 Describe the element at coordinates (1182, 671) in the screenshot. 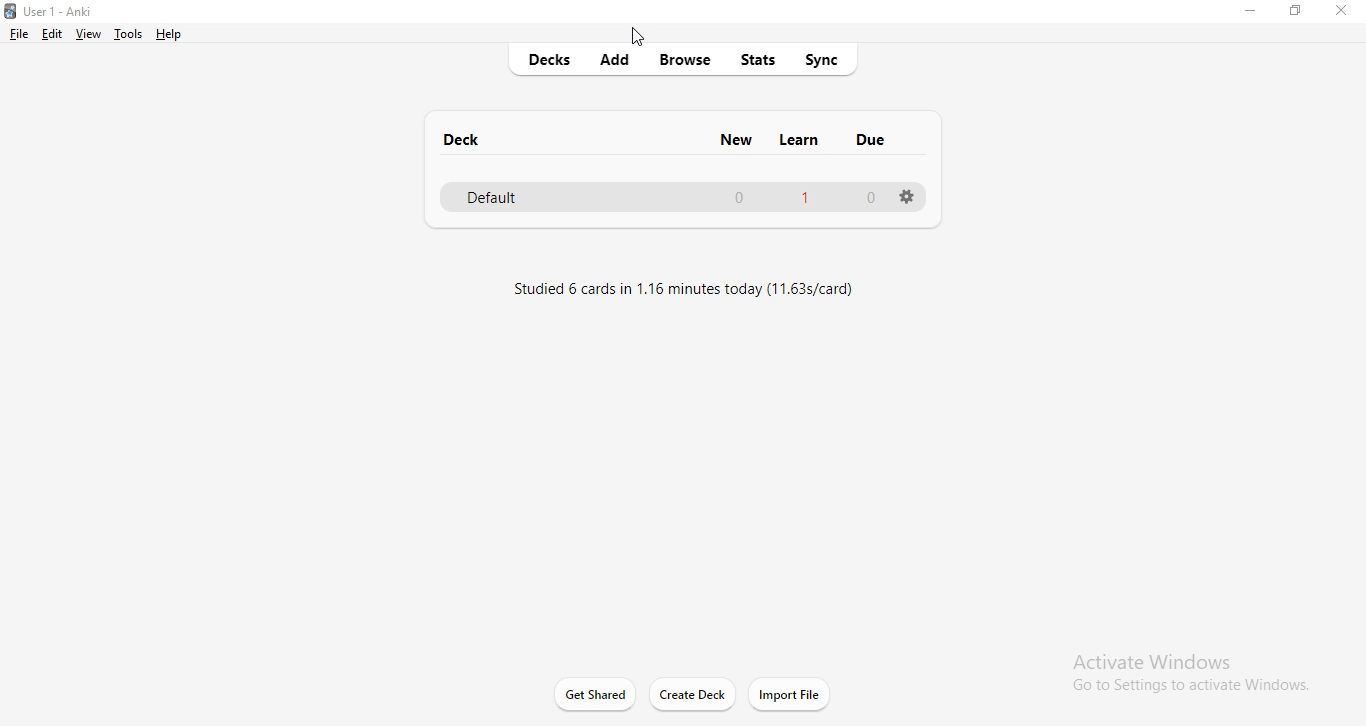

I see `Activate Windows Go to Settings to activate Windows.` at that location.